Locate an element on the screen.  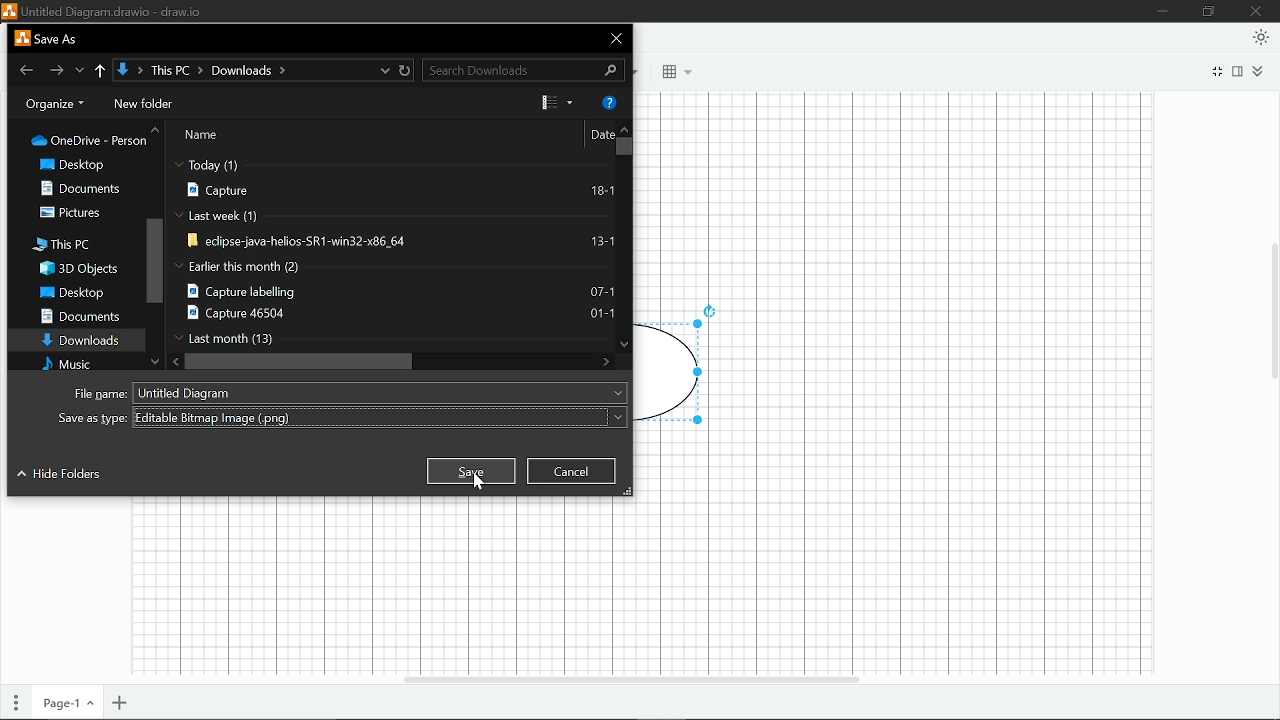
3D objects is located at coordinates (77, 269).